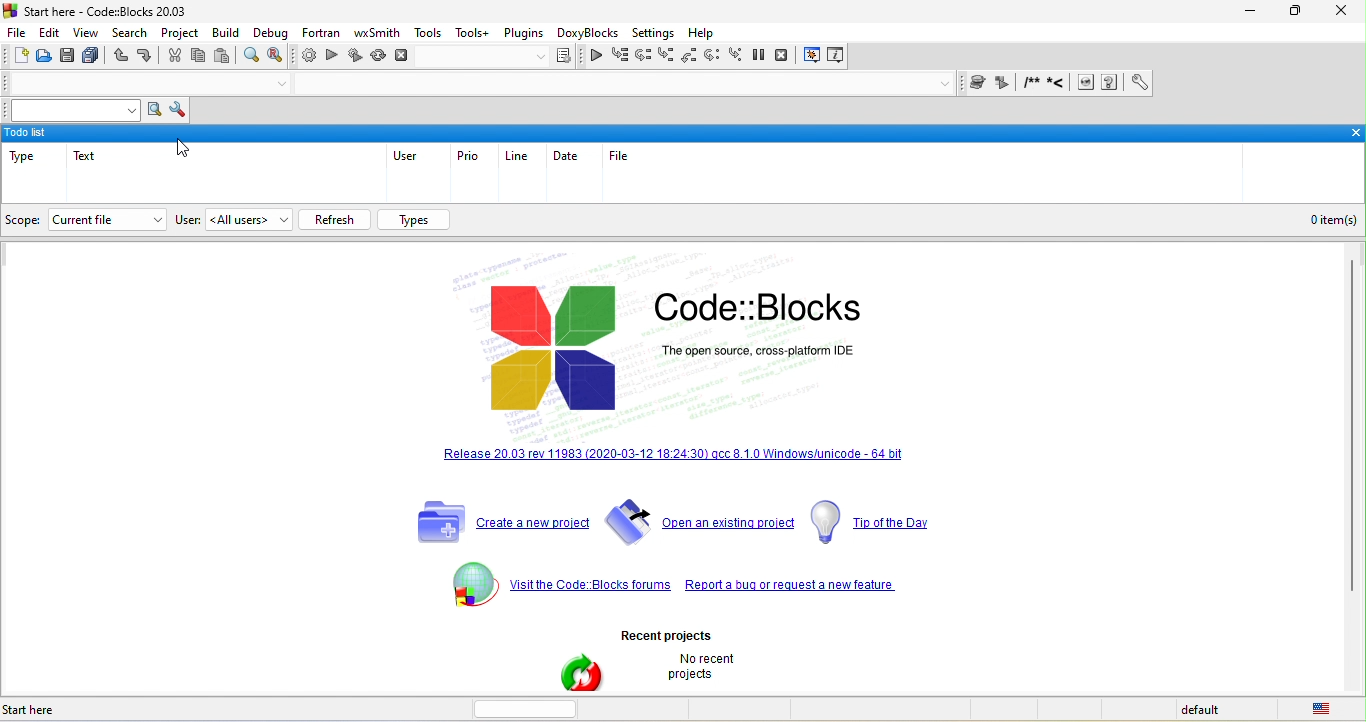 The height and width of the screenshot is (722, 1366). I want to click on select target dialog, so click(501, 58).